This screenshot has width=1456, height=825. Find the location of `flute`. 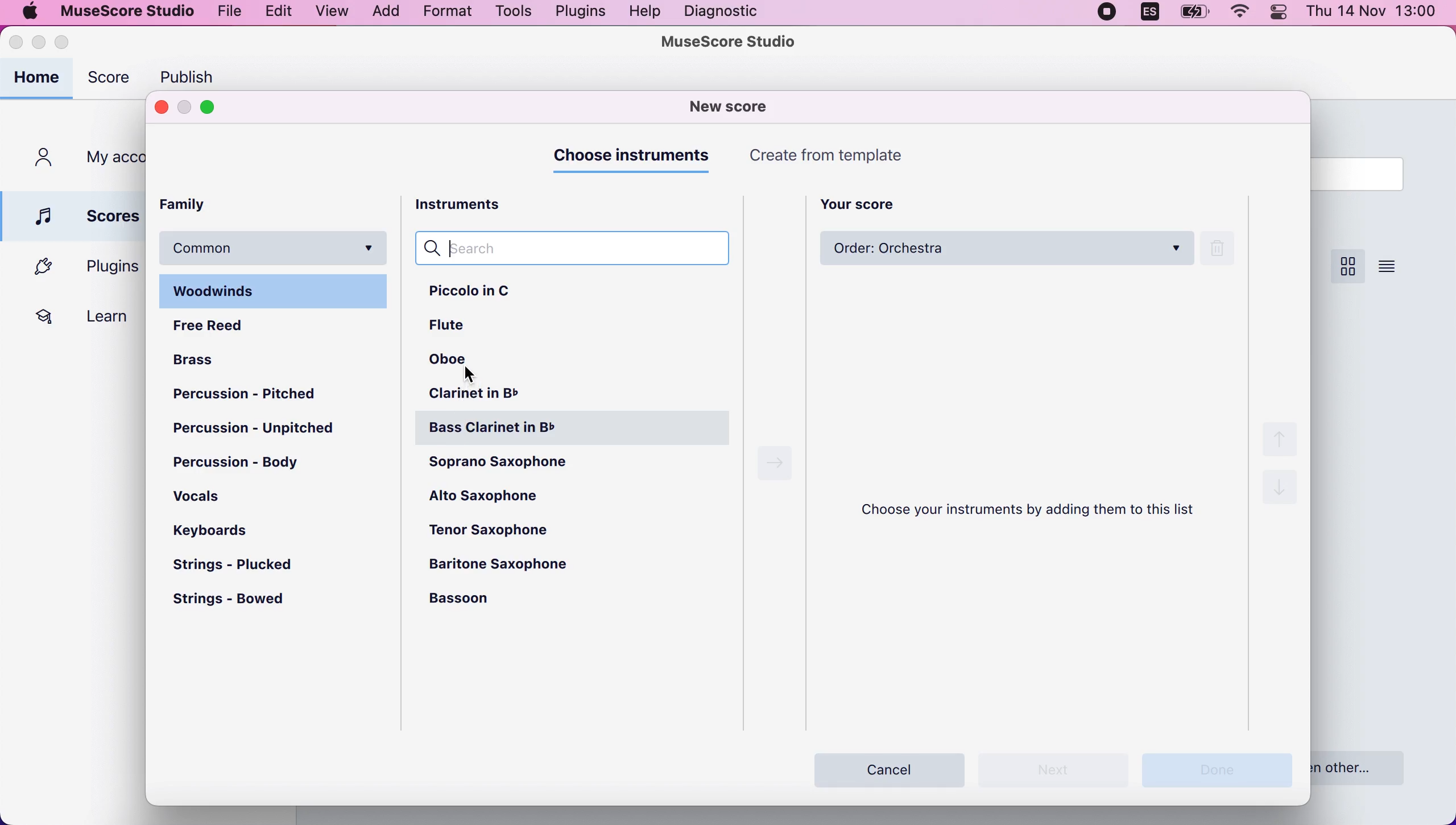

flute is located at coordinates (463, 329).